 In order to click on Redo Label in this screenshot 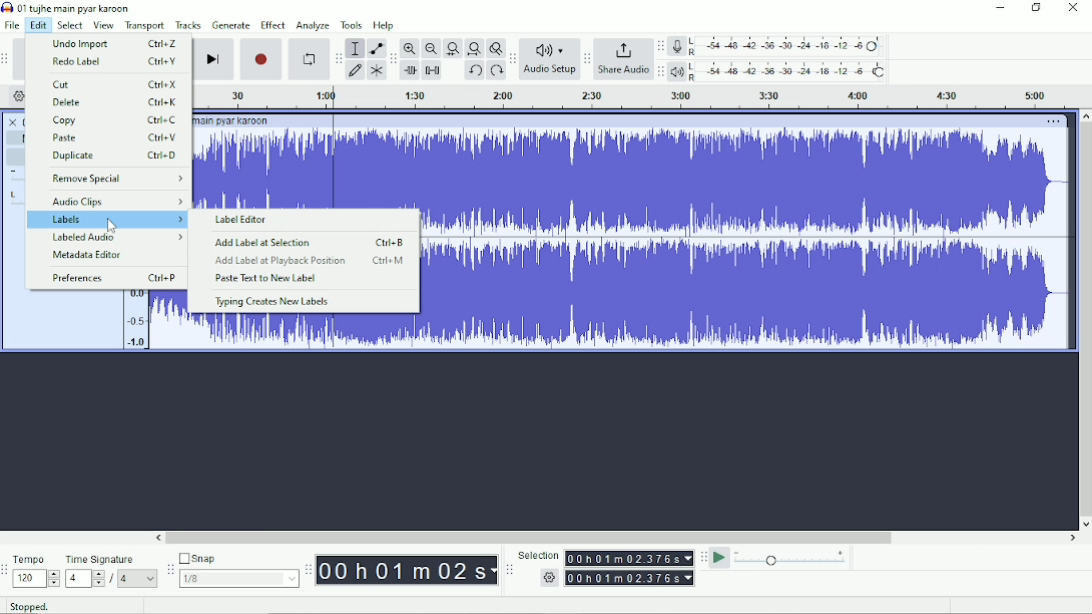, I will do `click(112, 62)`.